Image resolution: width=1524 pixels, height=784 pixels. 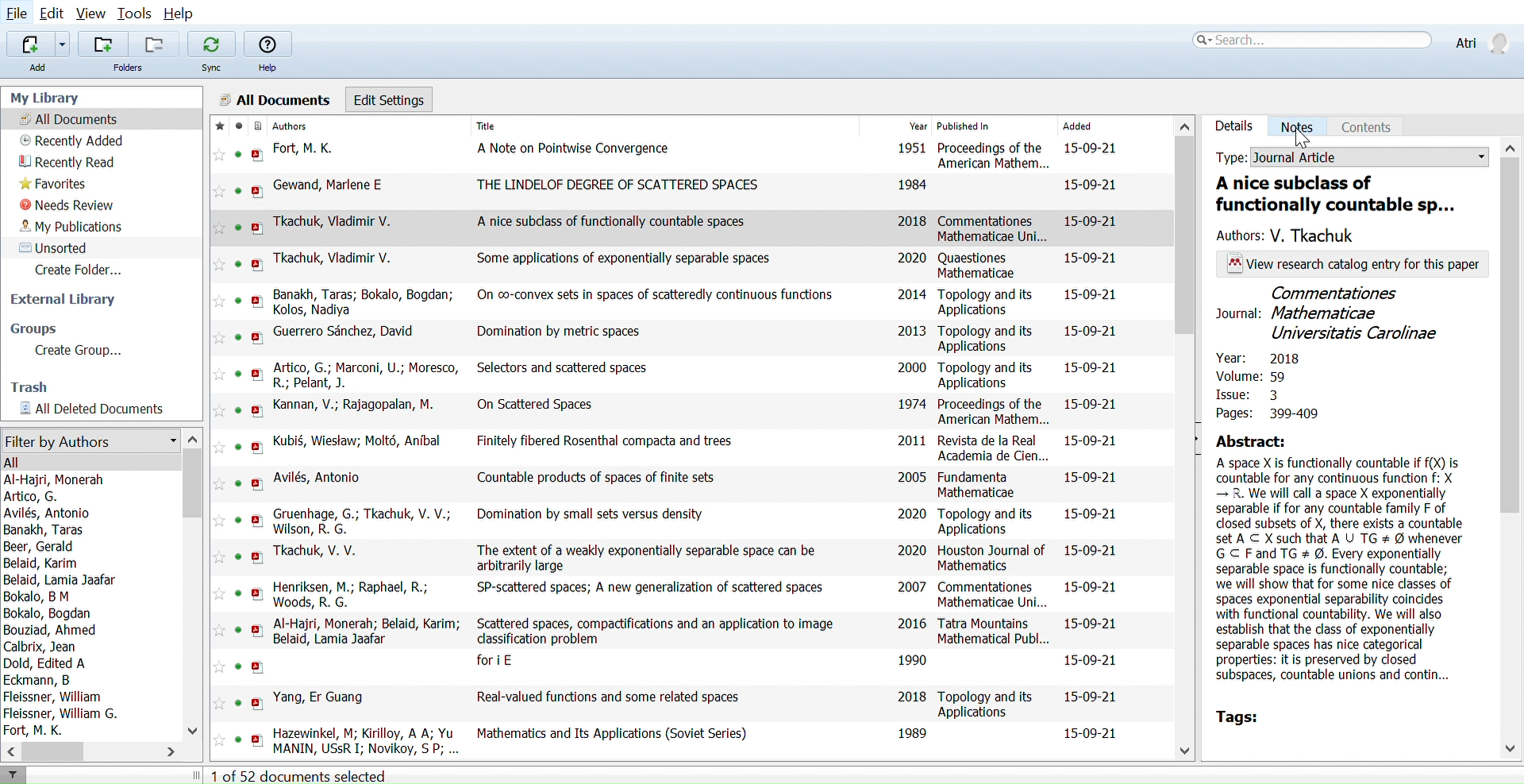 I want to click on Notes, so click(x=1295, y=126).